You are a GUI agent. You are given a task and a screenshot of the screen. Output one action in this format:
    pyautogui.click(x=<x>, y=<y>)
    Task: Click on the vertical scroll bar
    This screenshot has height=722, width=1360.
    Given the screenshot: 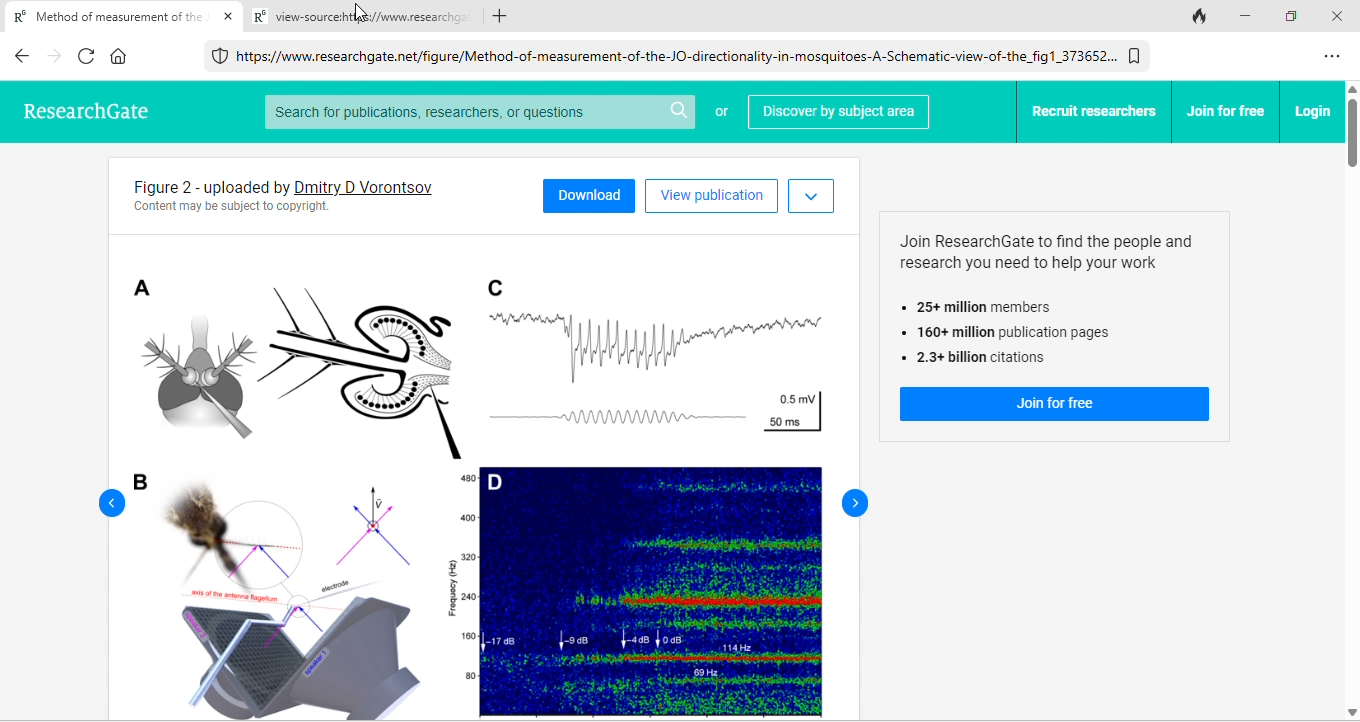 What is the action you would take?
    pyautogui.click(x=1352, y=135)
    